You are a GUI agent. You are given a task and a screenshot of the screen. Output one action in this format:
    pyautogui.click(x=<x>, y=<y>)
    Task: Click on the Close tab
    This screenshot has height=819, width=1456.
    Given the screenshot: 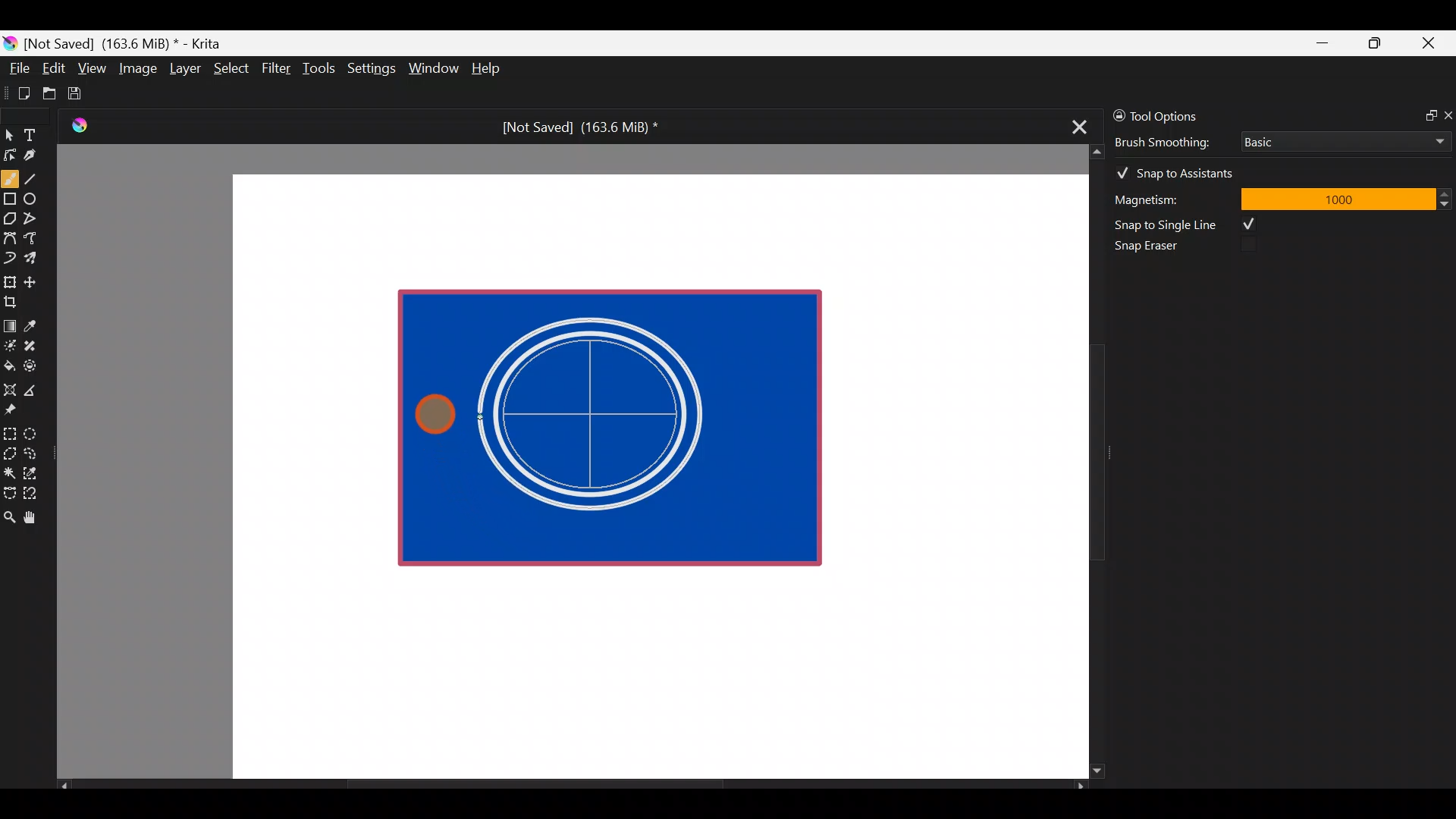 What is the action you would take?
    pyautogui.click(x=1075, y=124)
    